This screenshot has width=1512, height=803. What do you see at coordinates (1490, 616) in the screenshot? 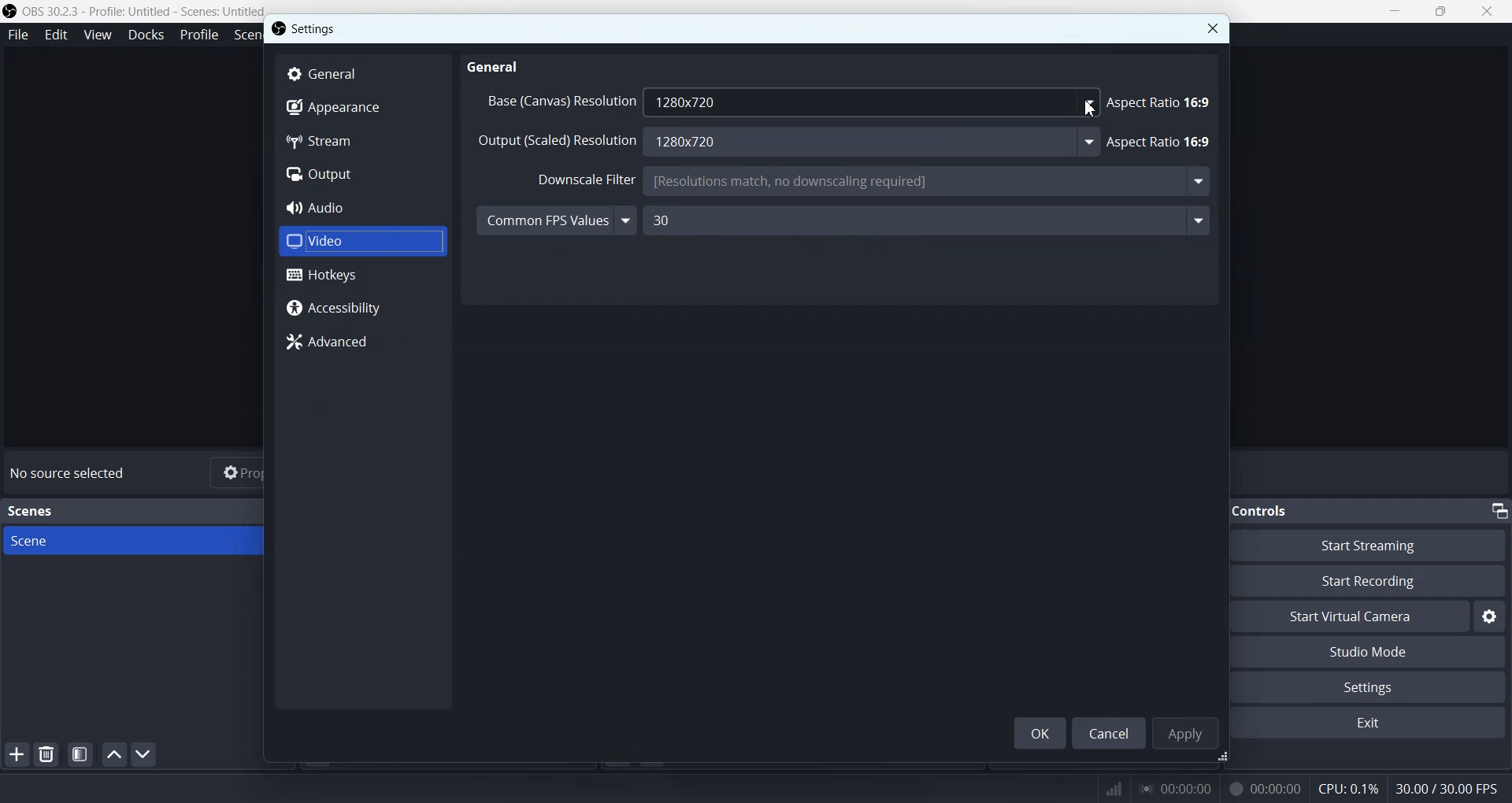
I see `Settings` at bounding box center [1490, 616].